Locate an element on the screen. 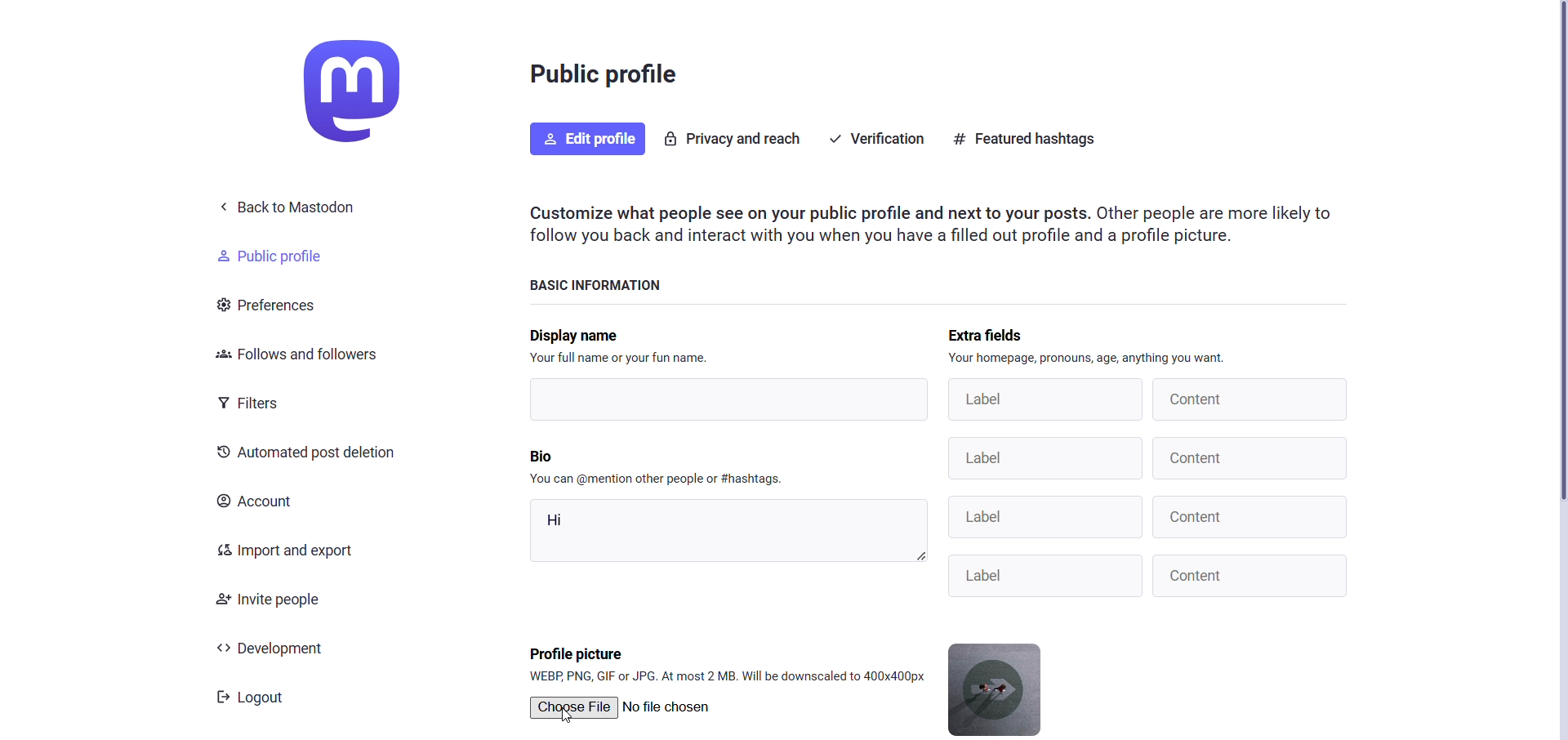  verification is located at coordinates (871, 139).